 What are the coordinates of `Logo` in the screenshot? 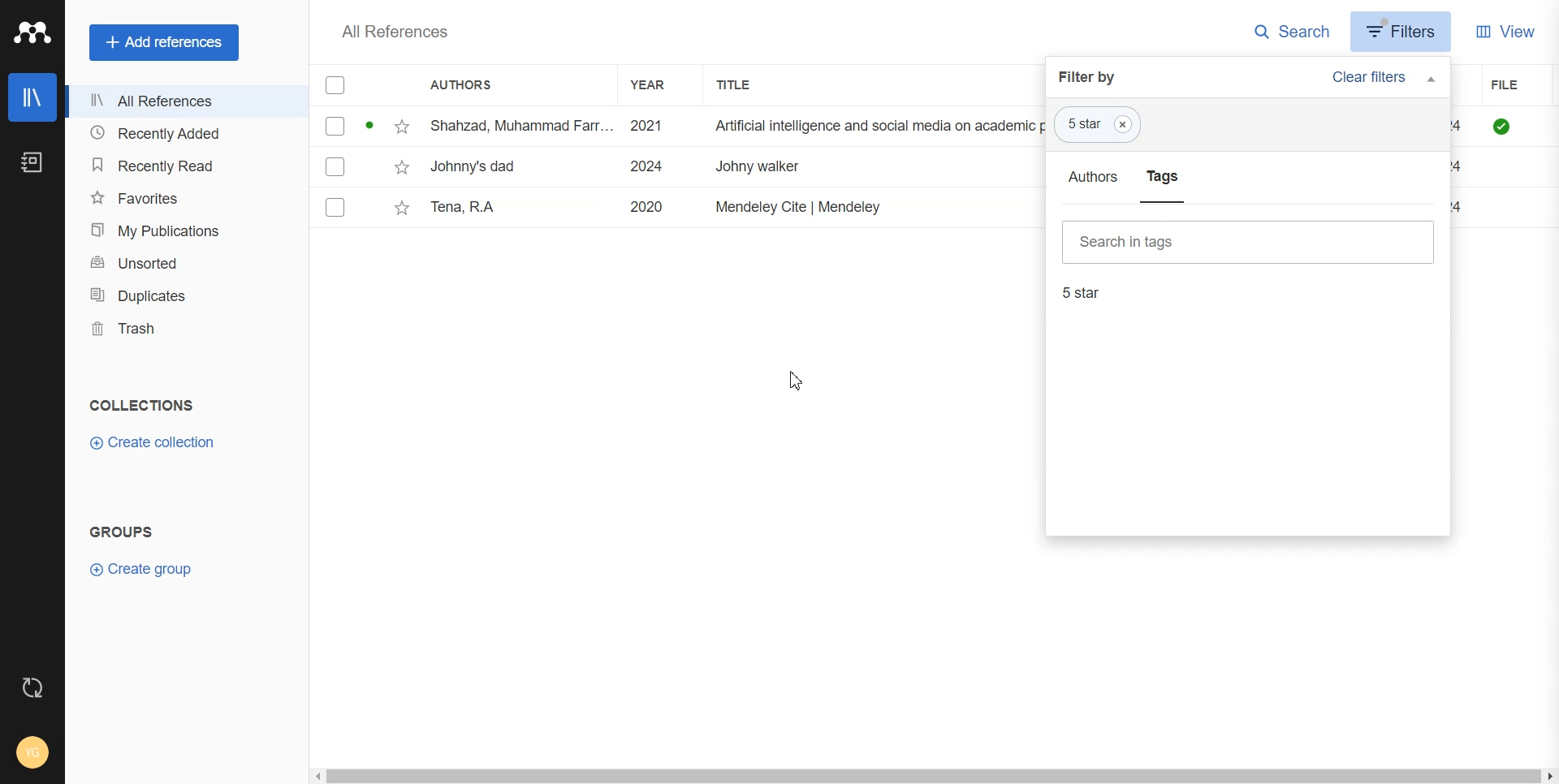 It's located at (32, 32).